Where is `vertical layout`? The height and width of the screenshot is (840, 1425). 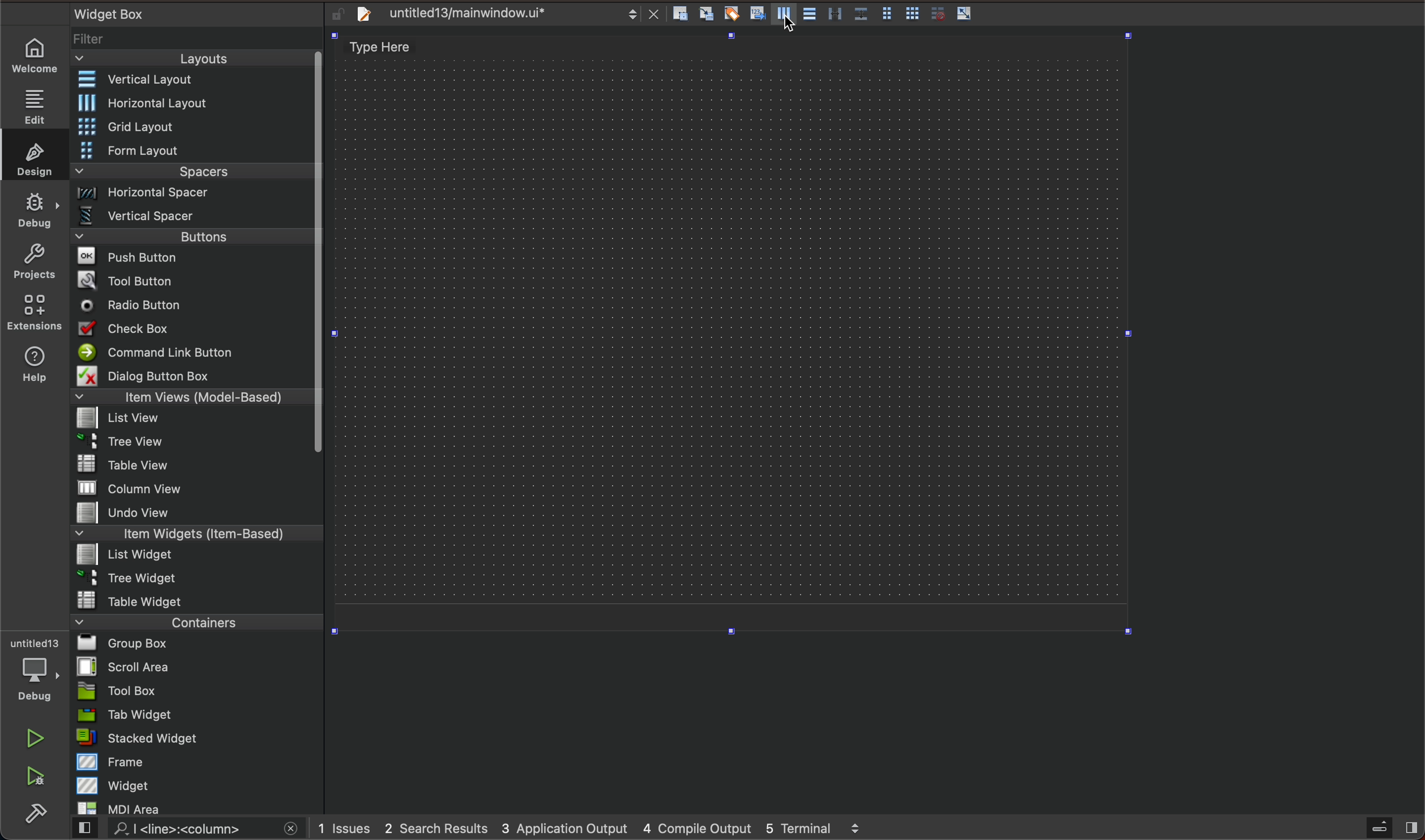 vertical layout is located at coordinates (192, 79).